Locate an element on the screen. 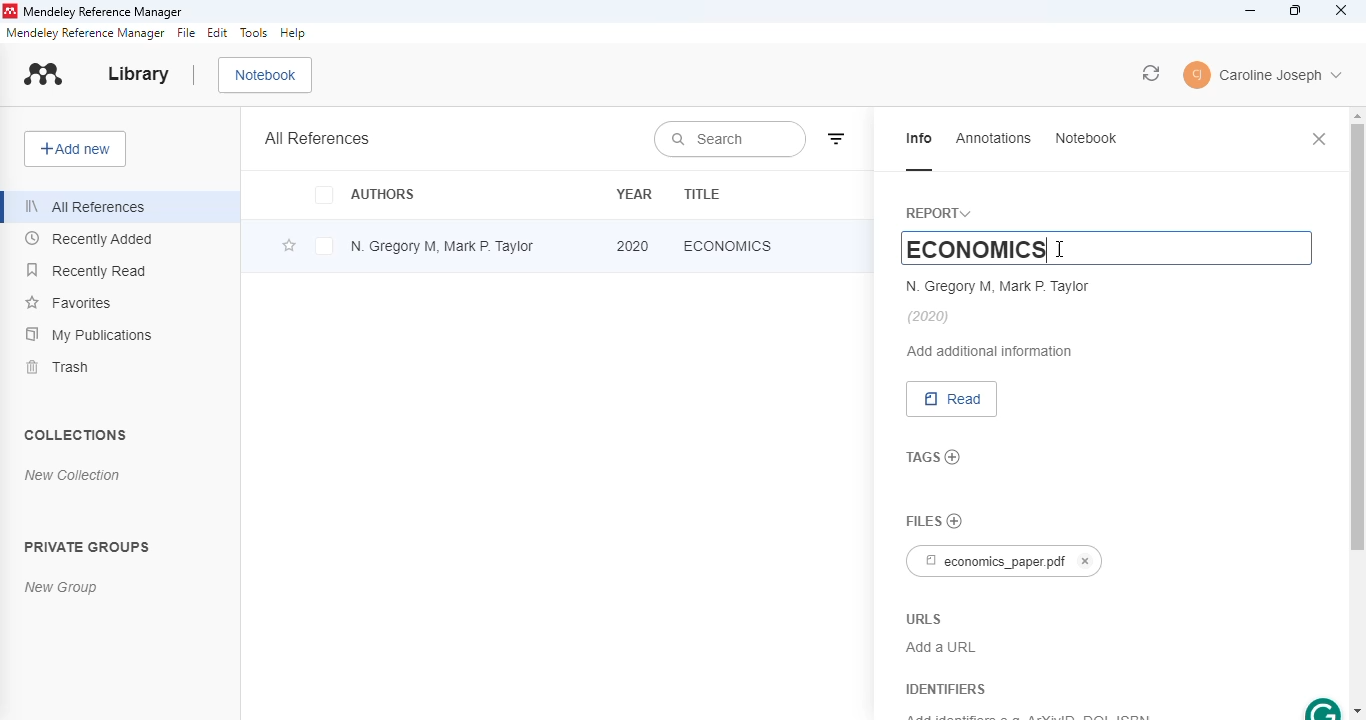  profile is located at coordinates (1264, 75).